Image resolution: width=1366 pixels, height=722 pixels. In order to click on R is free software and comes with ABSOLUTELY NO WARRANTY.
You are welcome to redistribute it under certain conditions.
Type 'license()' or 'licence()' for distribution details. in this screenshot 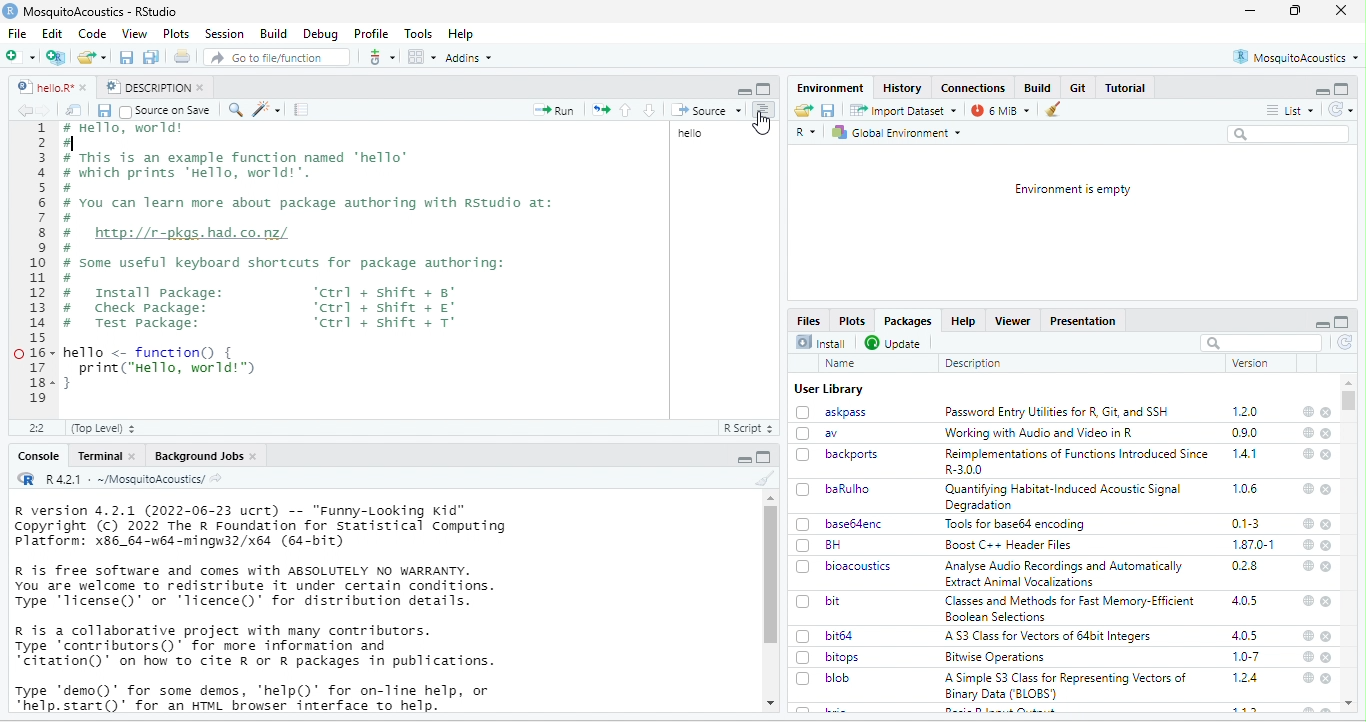, I will do `click(260, 586)`.